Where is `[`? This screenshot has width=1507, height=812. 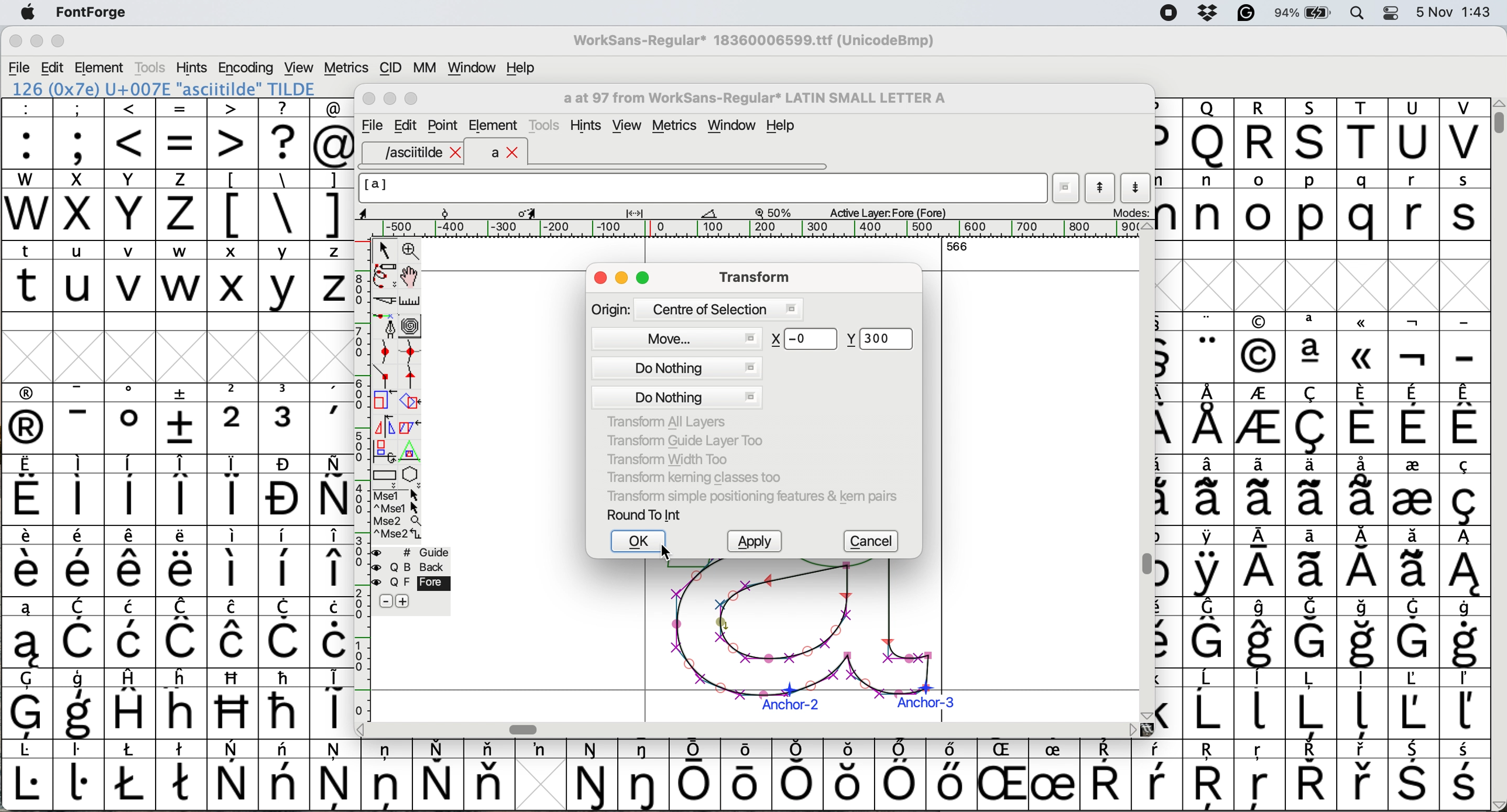
[ is located at coordinates (233, 205).